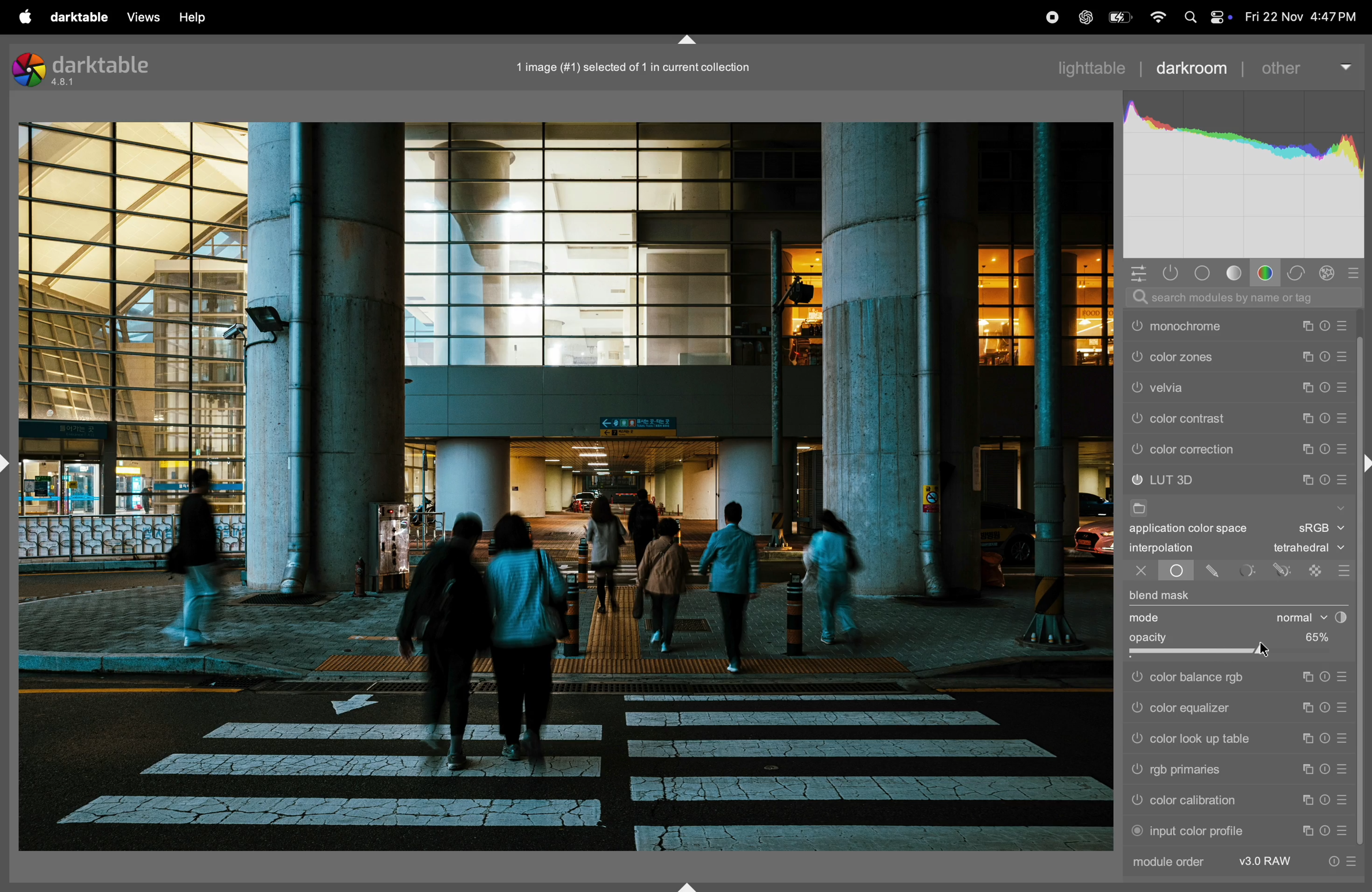 This screenshot has height=892, width=1372. Describe the element at coordinates (1248, 570) in the screenshot. I see `parametric mask` at that location.